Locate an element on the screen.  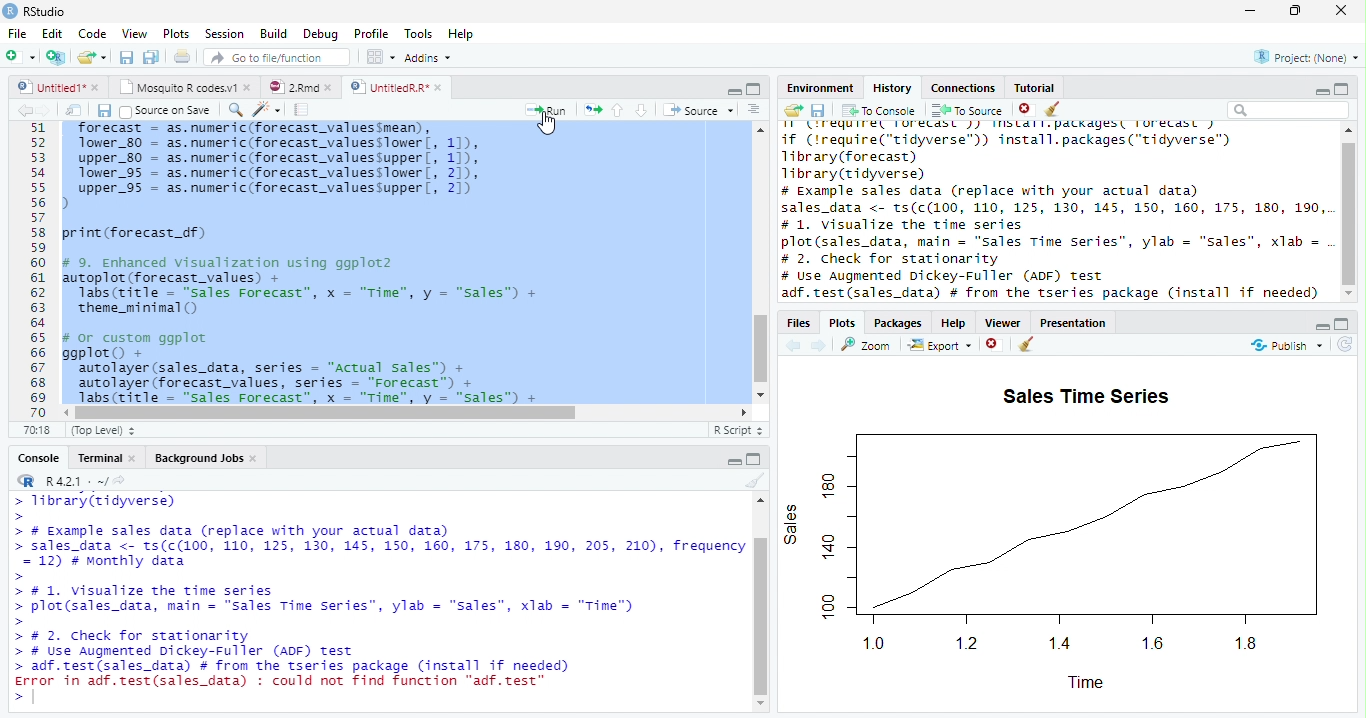
Plots is located at coordinates (843, 323).